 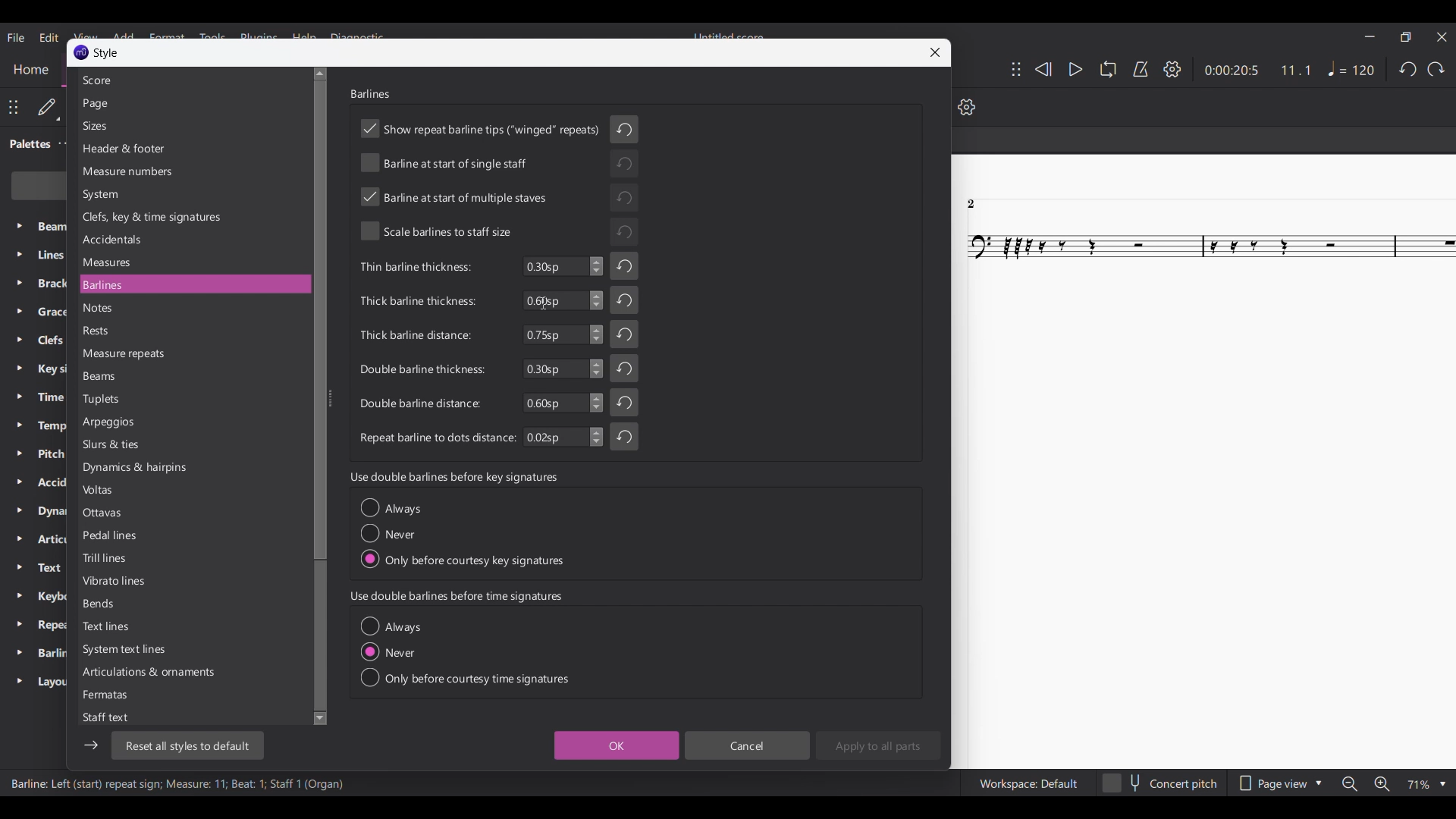 What do you see at coordinates (463, 533) in the screenshot?
I see `Toggle options under current section` at bounding box center [463, 533].